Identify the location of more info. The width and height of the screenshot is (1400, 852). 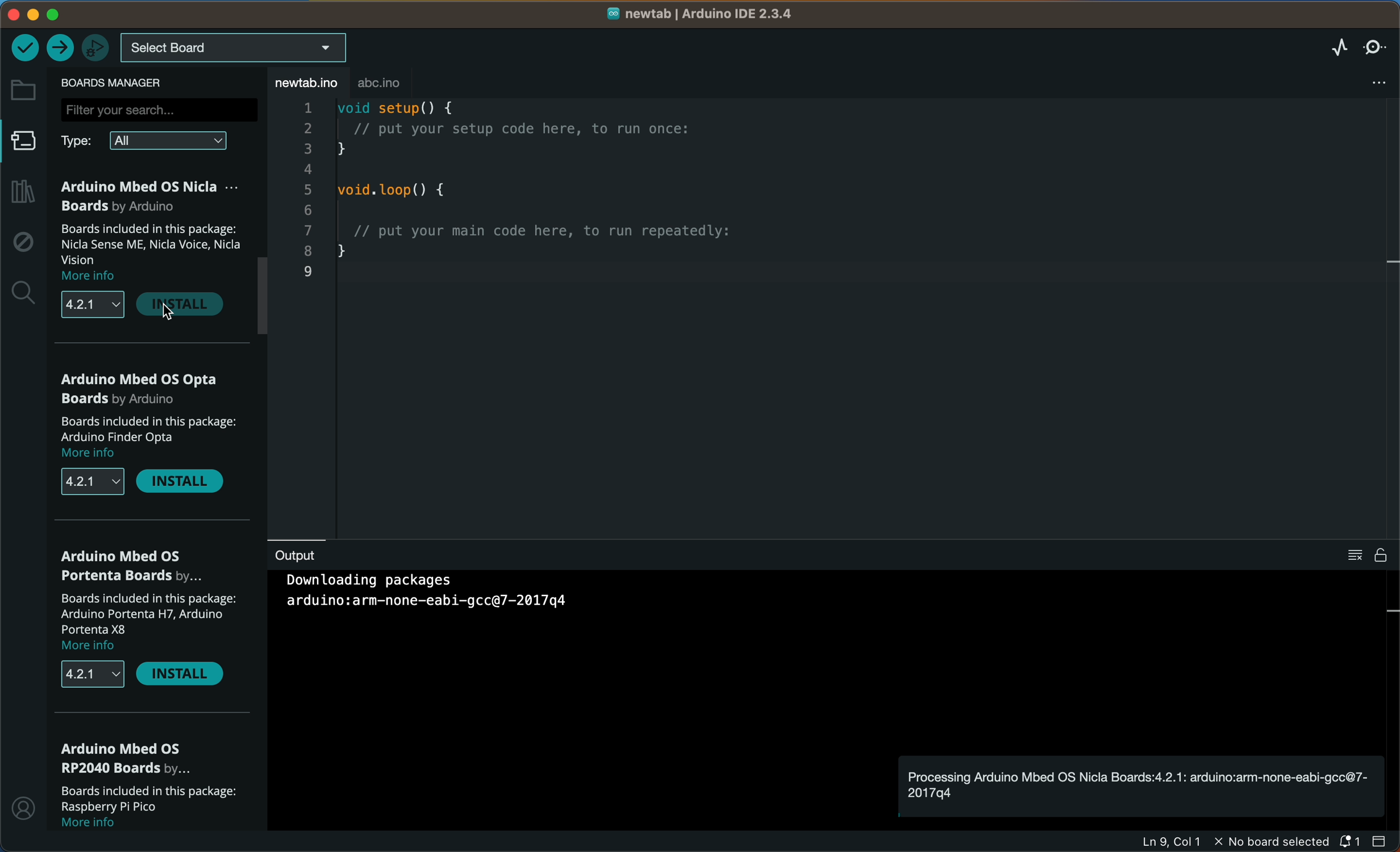
(94, 647).